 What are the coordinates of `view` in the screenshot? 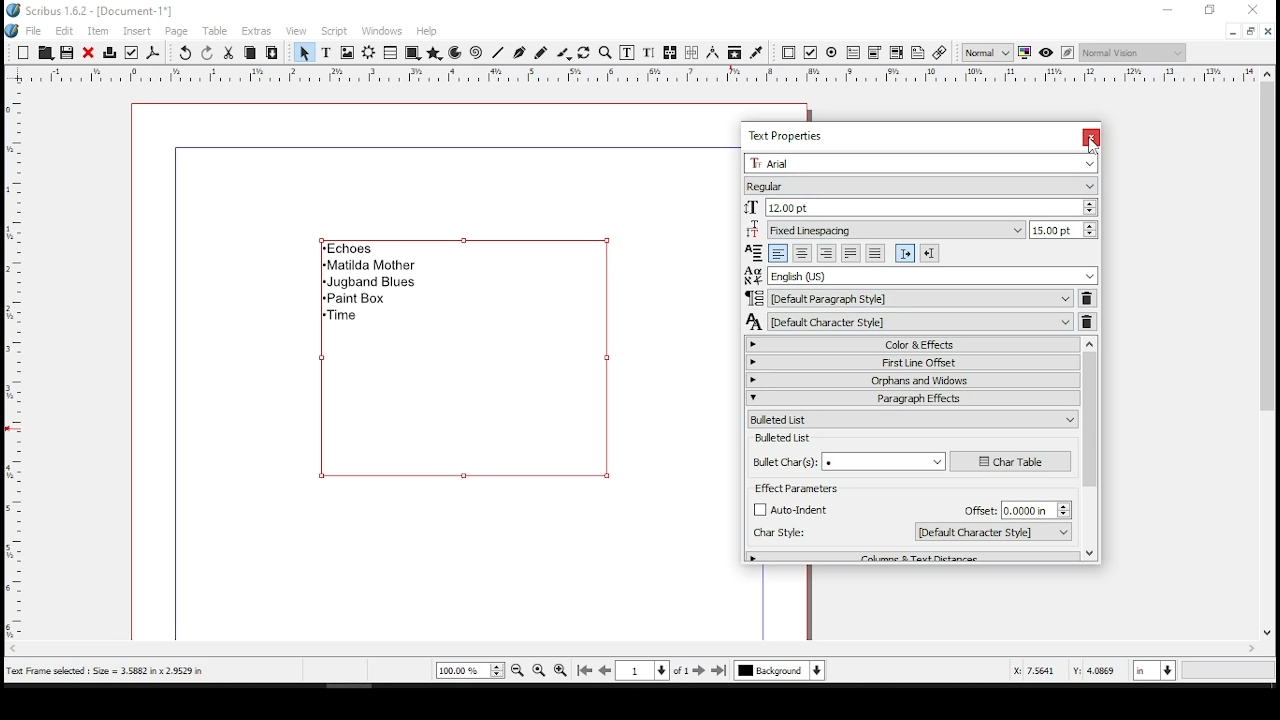 It's located at (296, 32).